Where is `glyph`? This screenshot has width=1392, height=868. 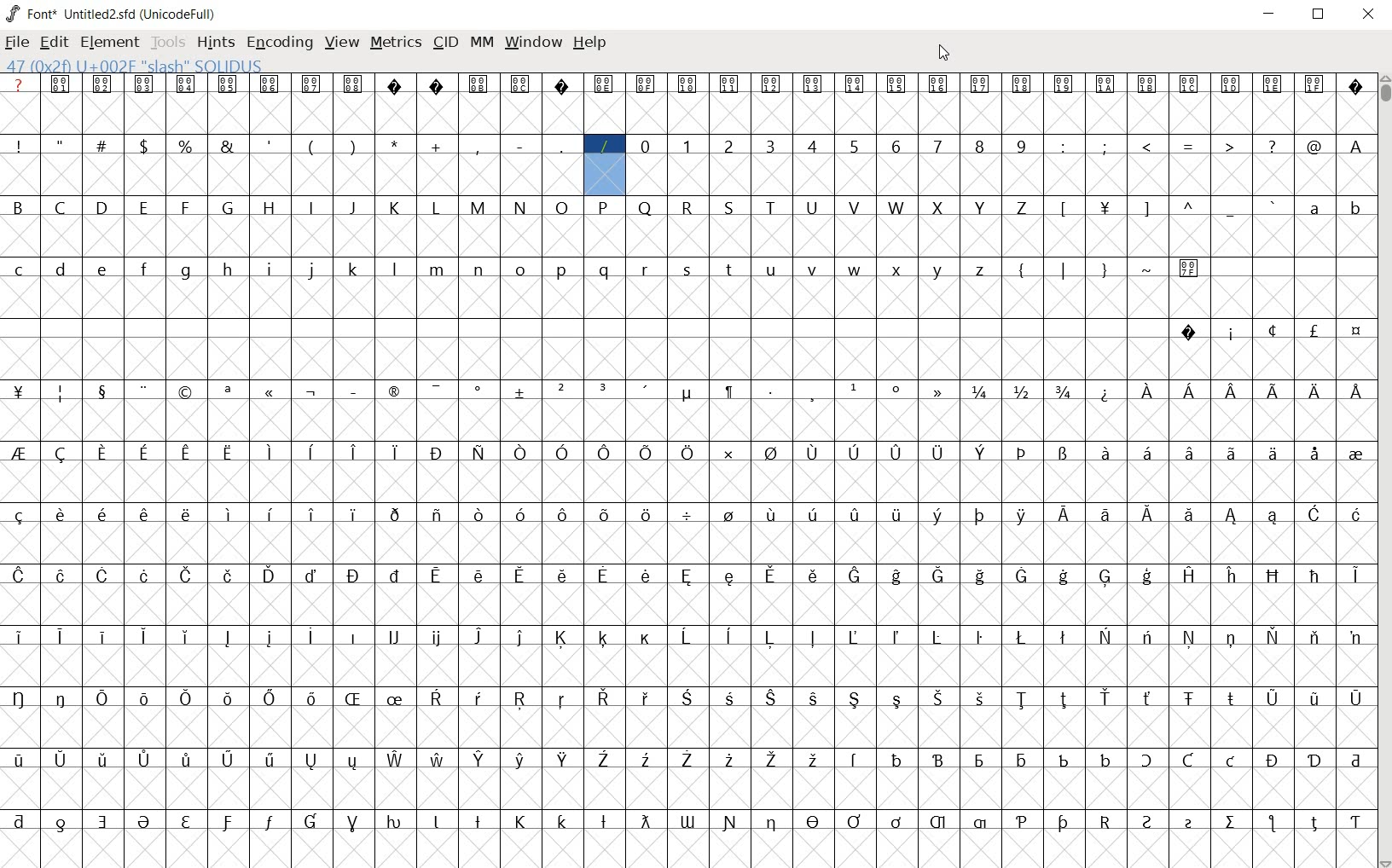 glyph is located at coordinates (647, 576).